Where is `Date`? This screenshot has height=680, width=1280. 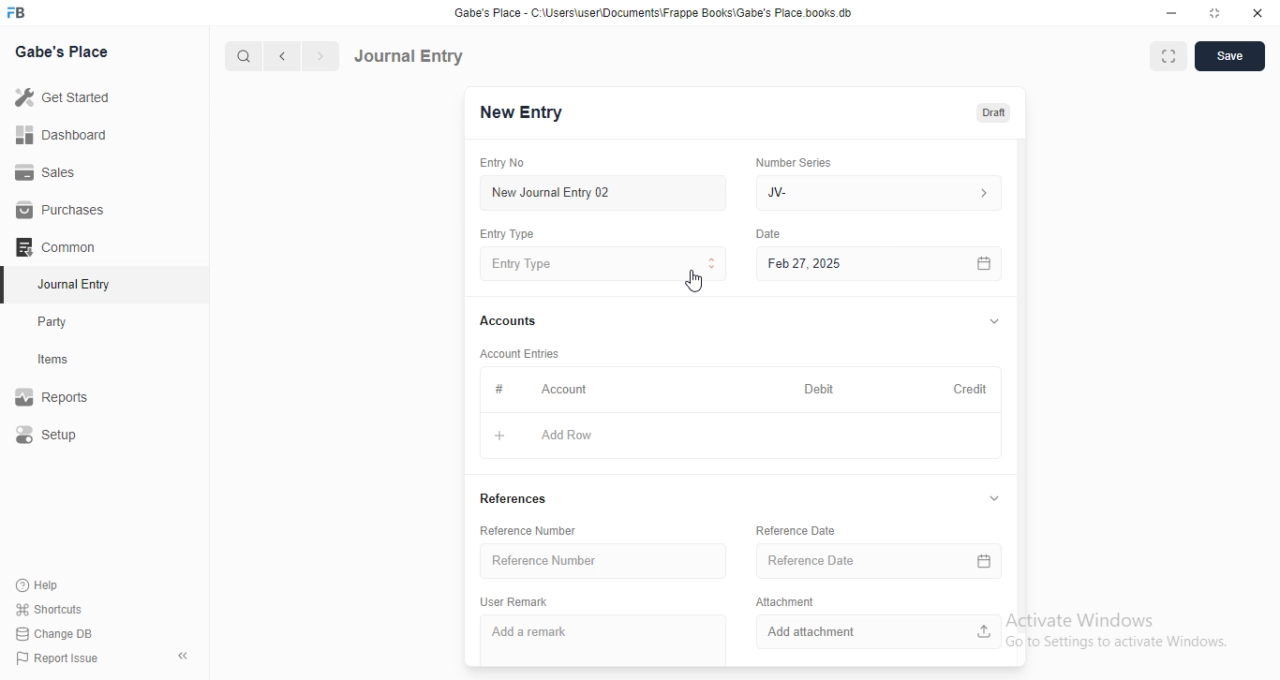 Date is located at coordinates (772, 232).